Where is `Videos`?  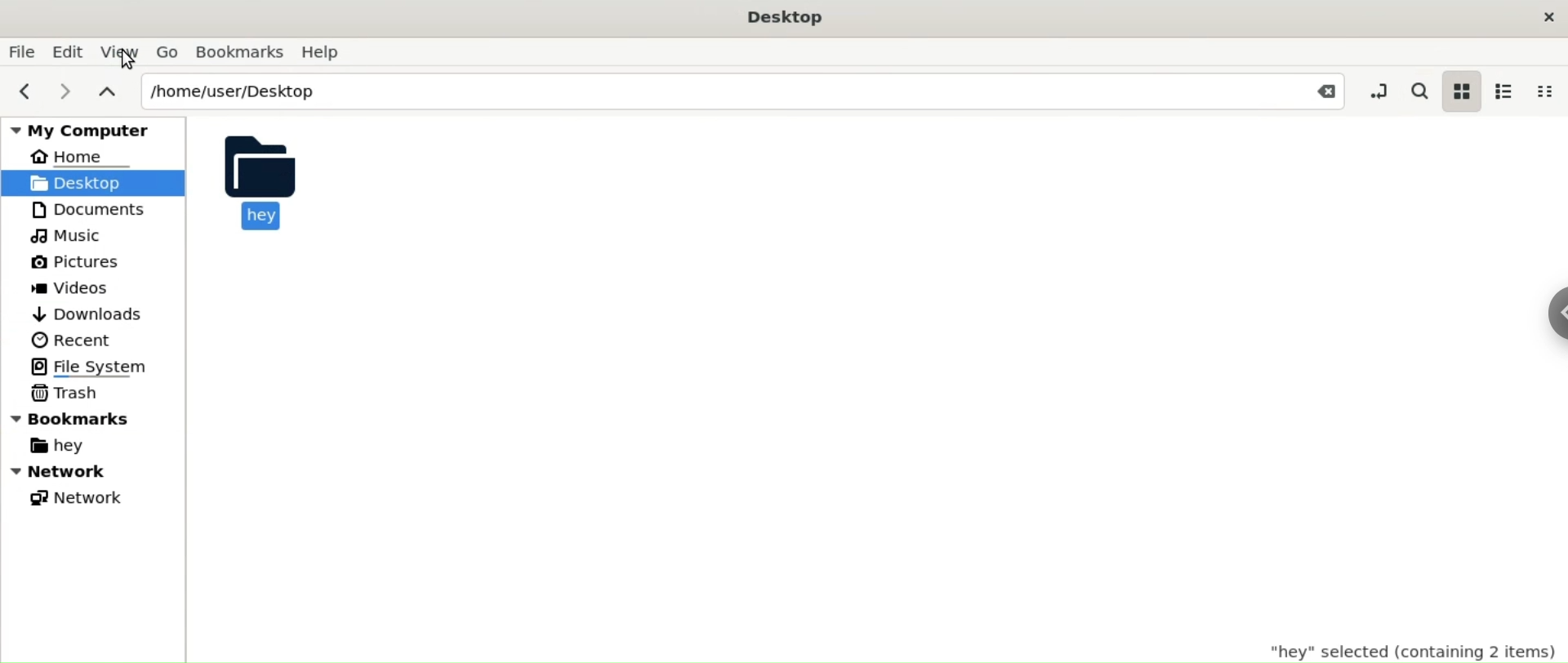
Videos is located at coordinates (71, 289).